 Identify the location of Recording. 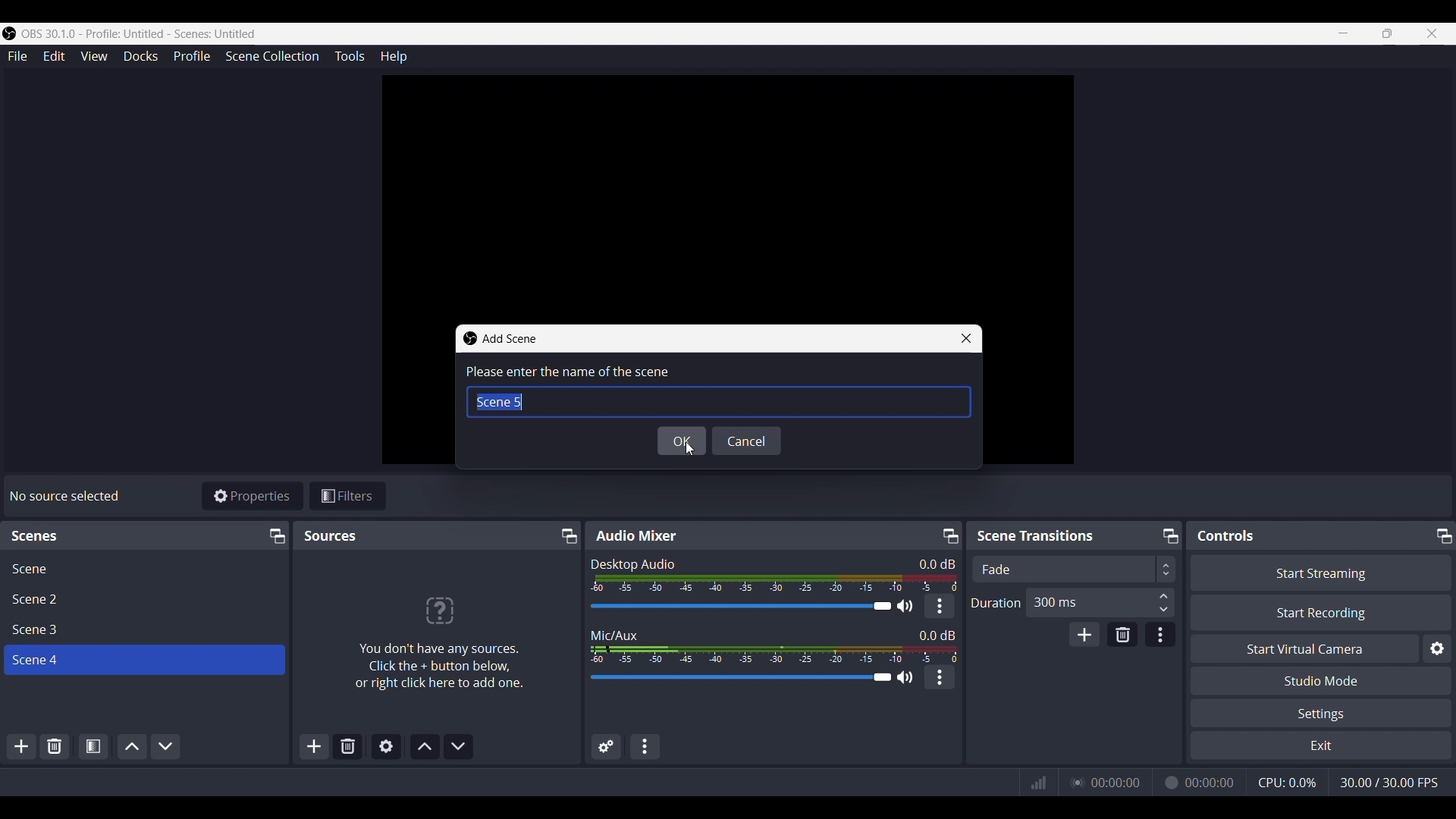
(1170, 781).